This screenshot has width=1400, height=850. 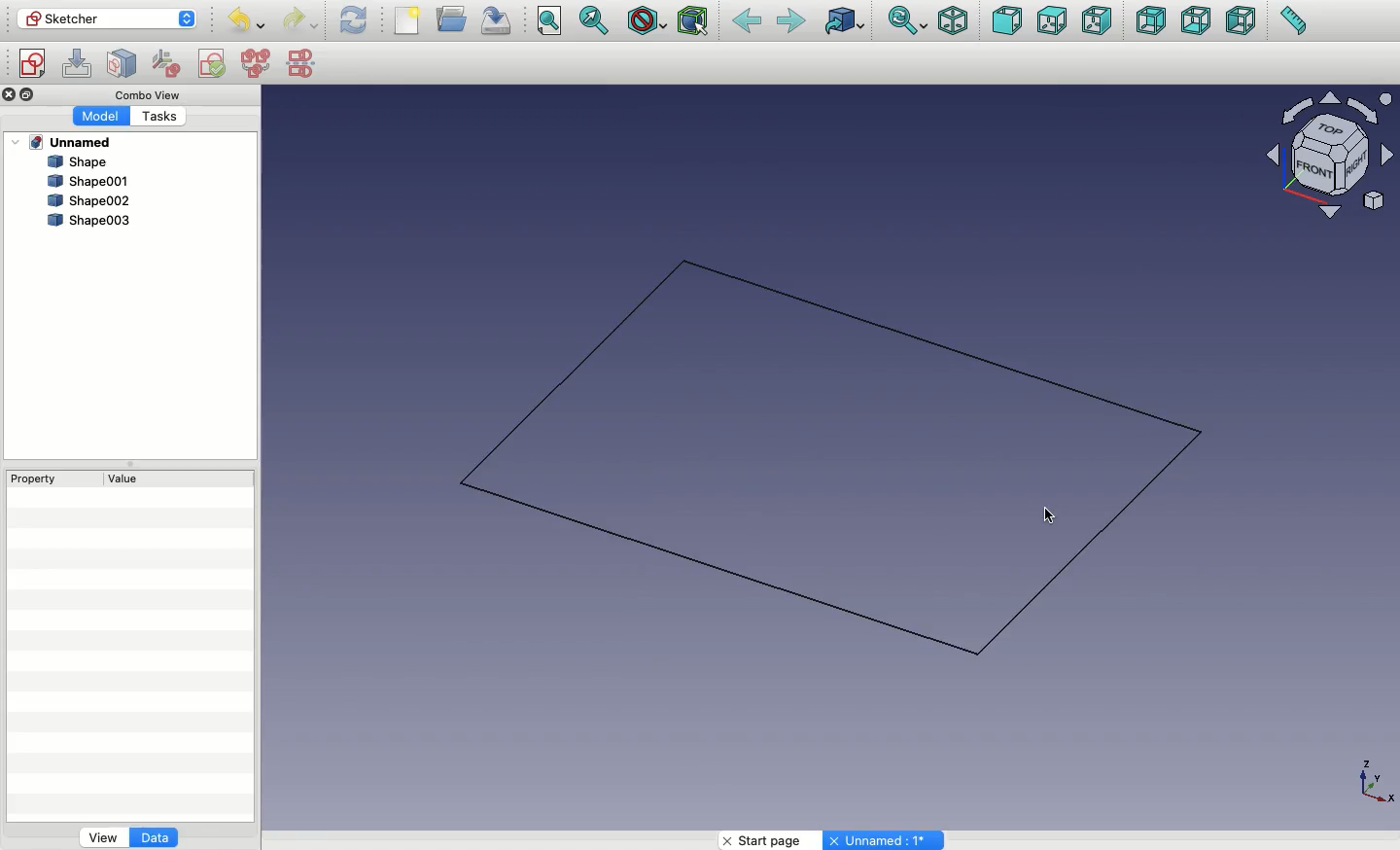 What do you see at coordinates (212, 66) in the screenshot?
I see `Validate sketch` at bounding box center [212, 66].